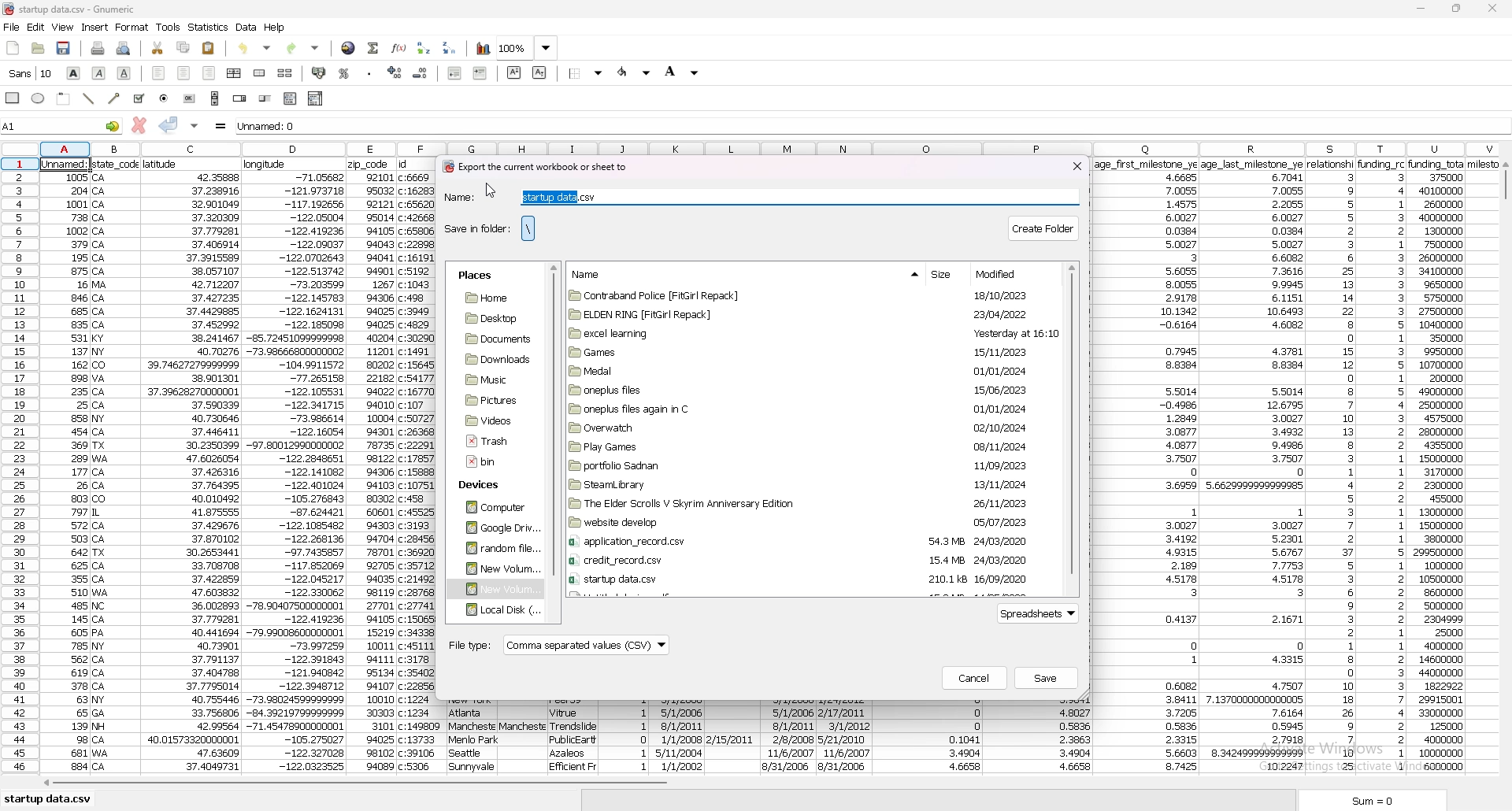 This screenshot has height=811, width=1512. I want to click on spin button, so click(239, 99).